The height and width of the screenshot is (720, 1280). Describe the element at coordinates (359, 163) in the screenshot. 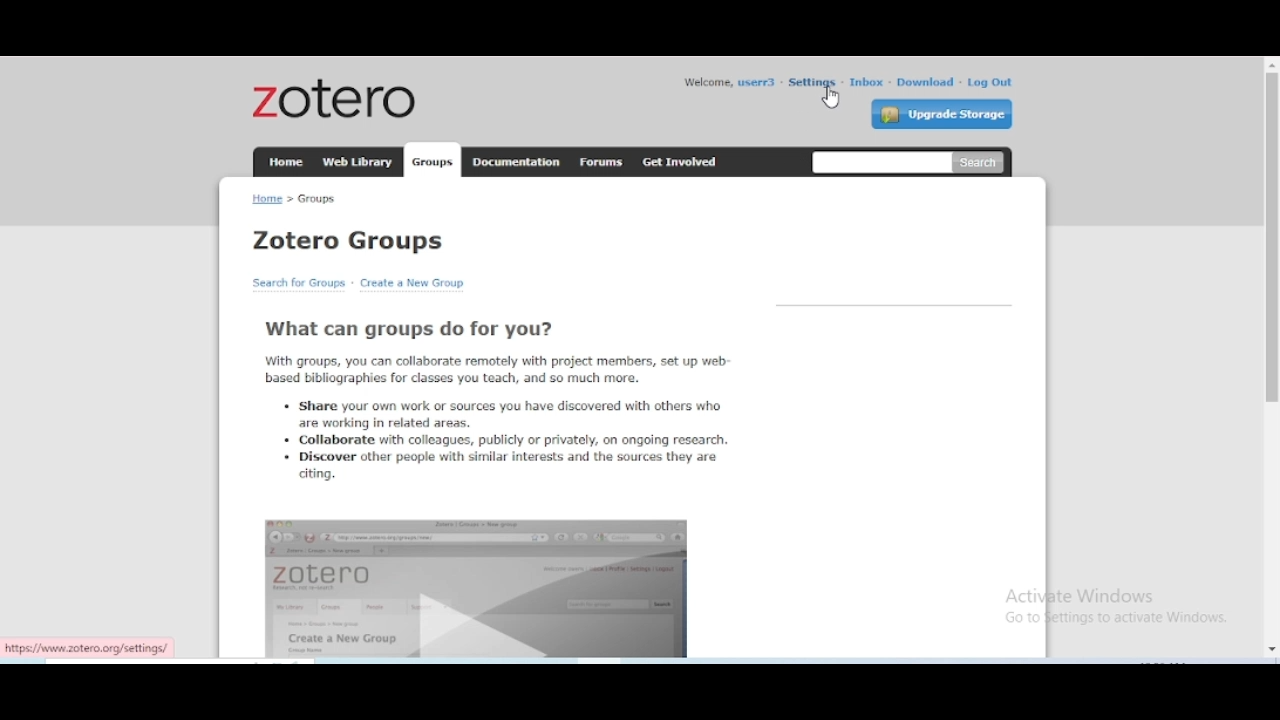

I see `web library` at that location.